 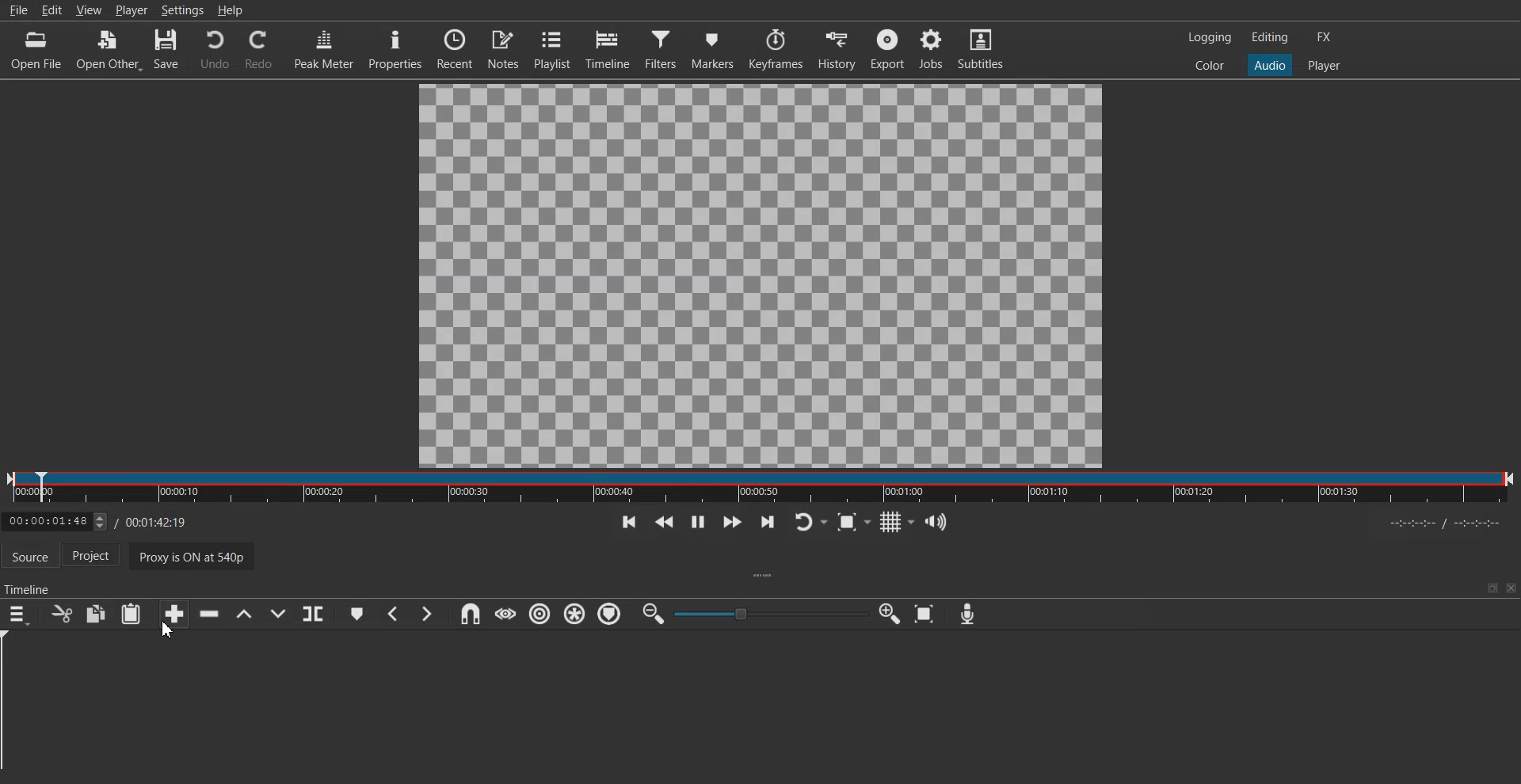 I want to click on Play quickly forwards, so click(x=730, y=522).